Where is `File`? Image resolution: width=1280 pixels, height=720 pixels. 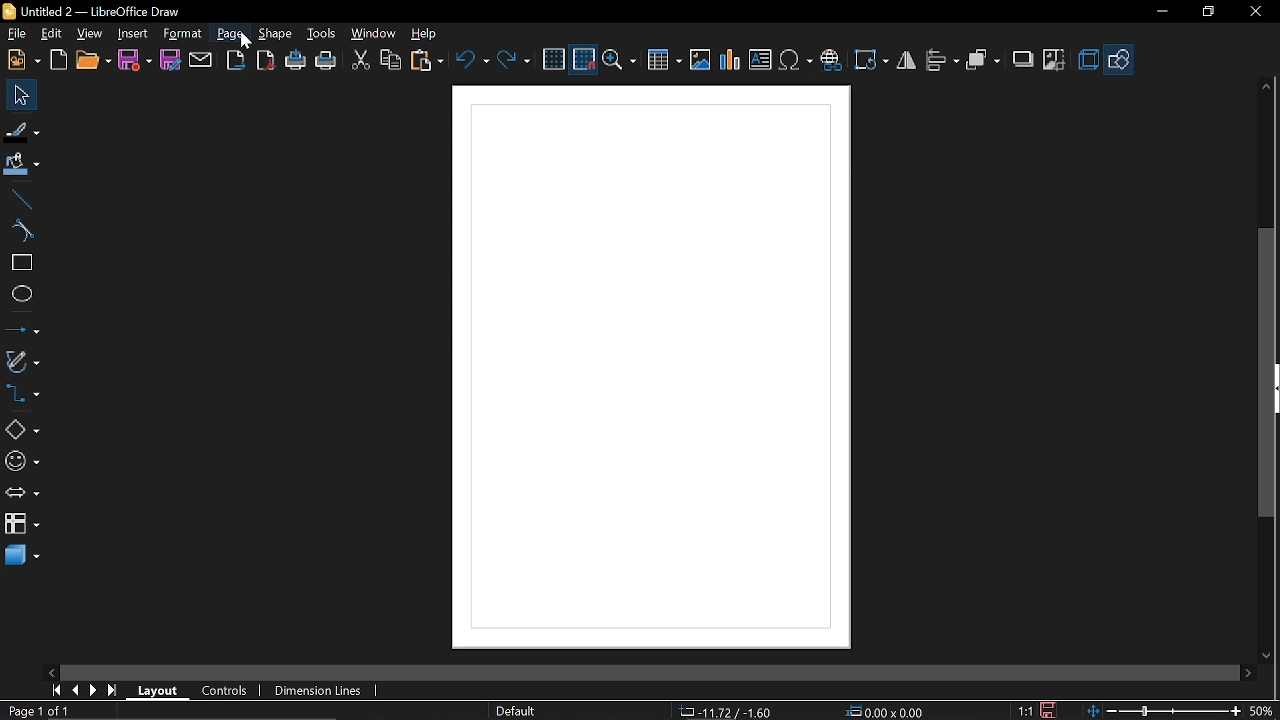 File is located at coordinates (18, 33).